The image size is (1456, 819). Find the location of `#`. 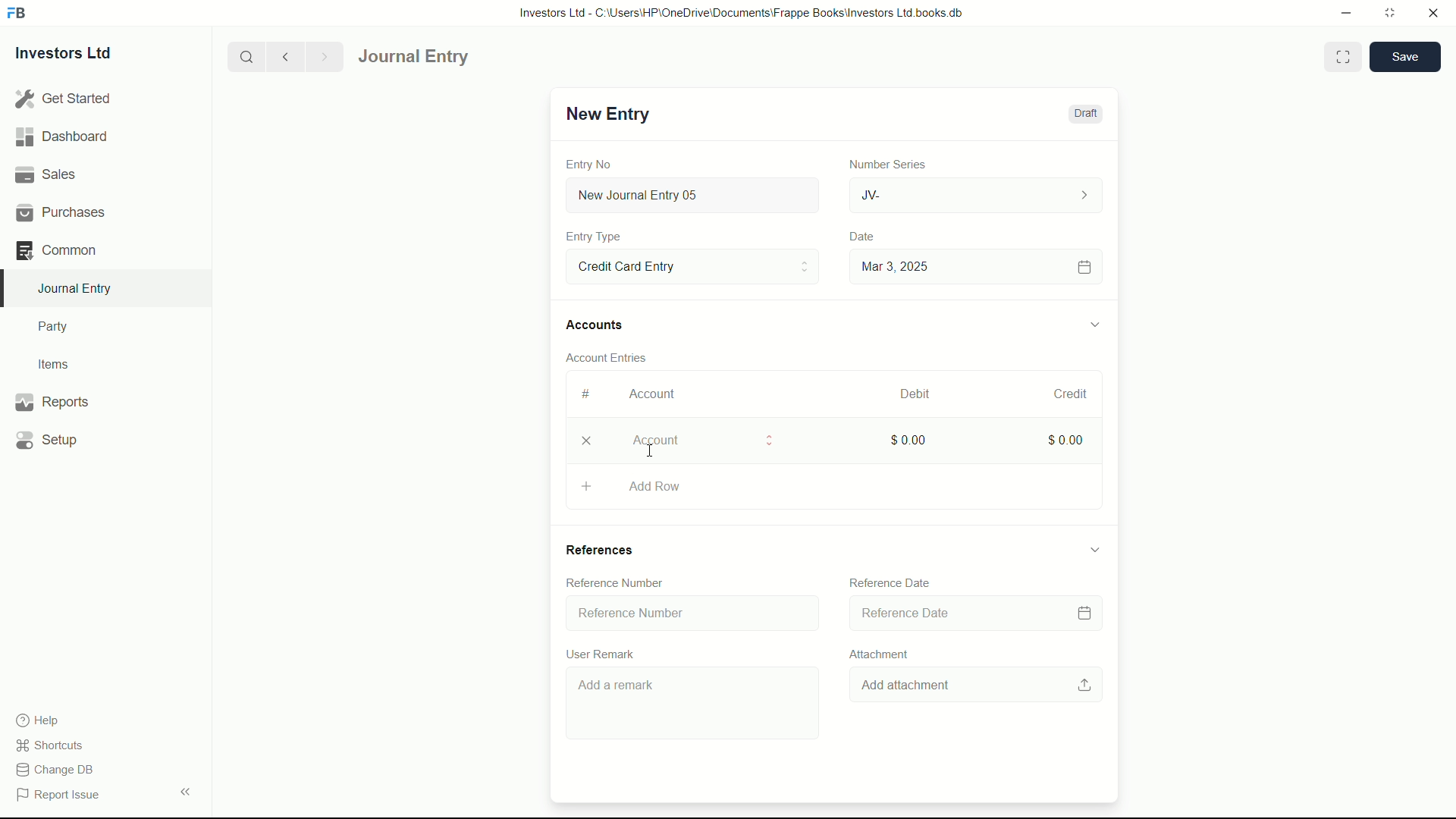

# is located at coordinates (587, 394).